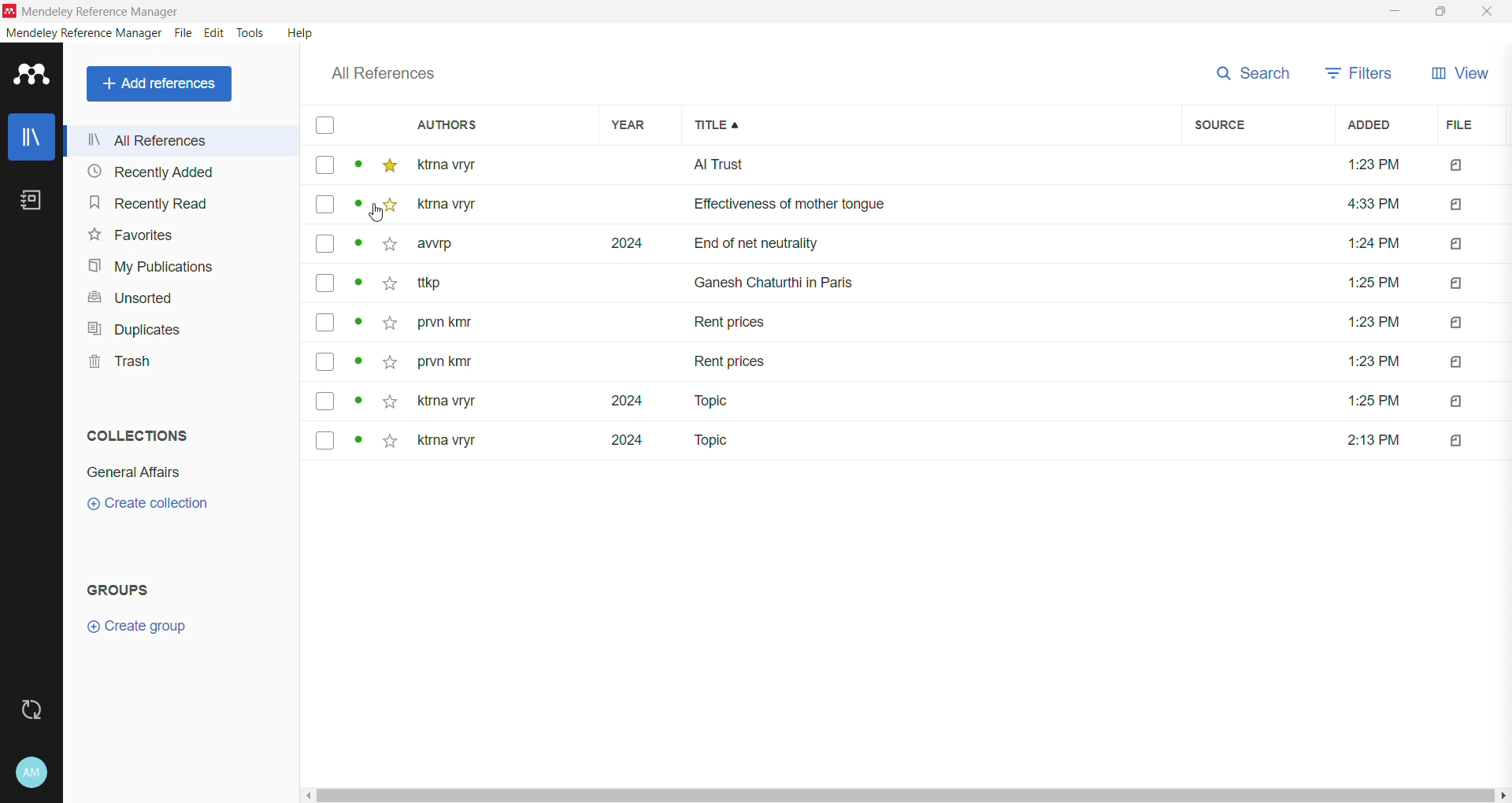 The width and height of the screenshot is (1512, 803). What do you see at coordinates (31, 200) in the screenshot?
I see `Notebook` at bounding box center [31, 200].